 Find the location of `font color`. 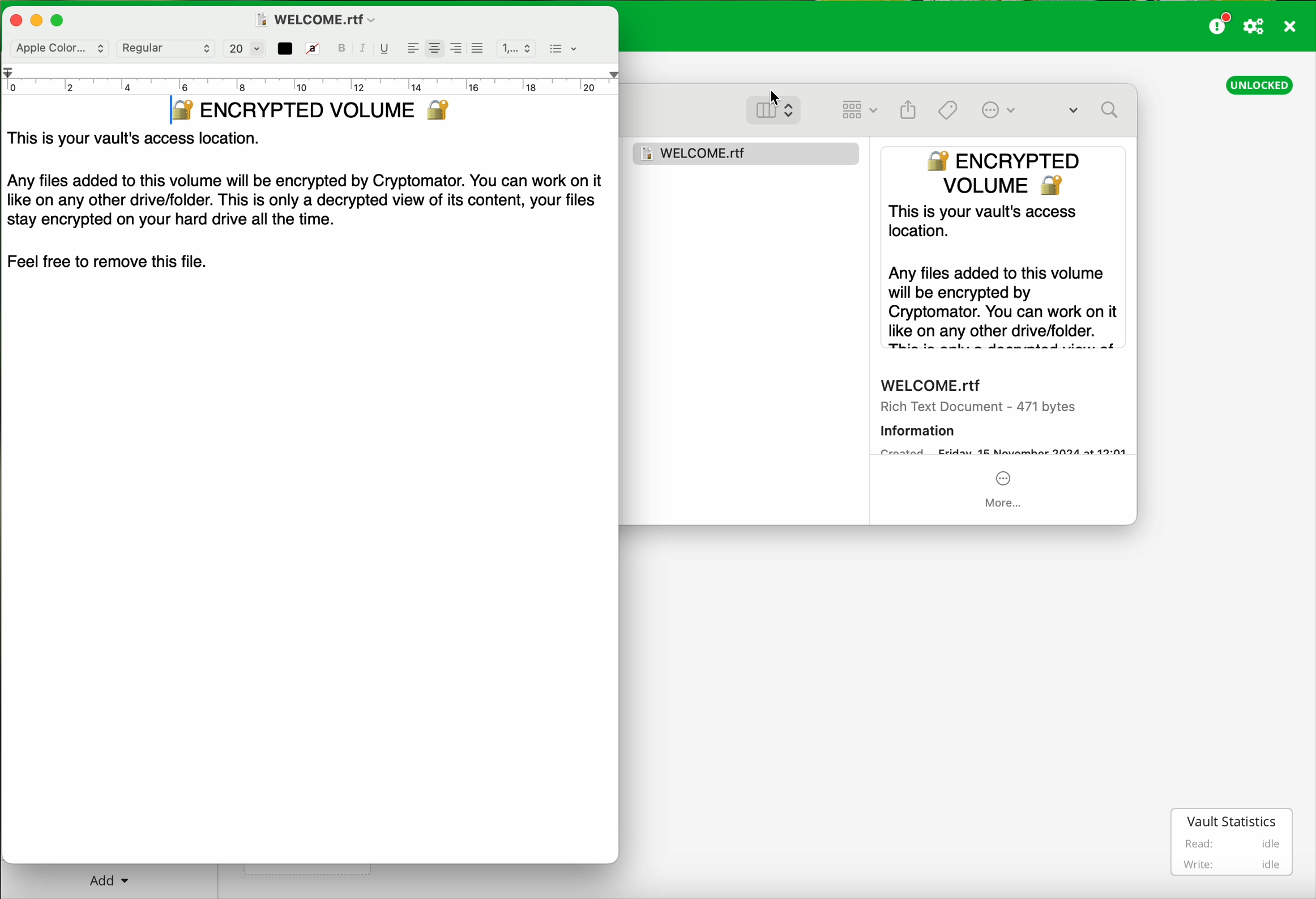

font color is located at coordinates (285, 48).